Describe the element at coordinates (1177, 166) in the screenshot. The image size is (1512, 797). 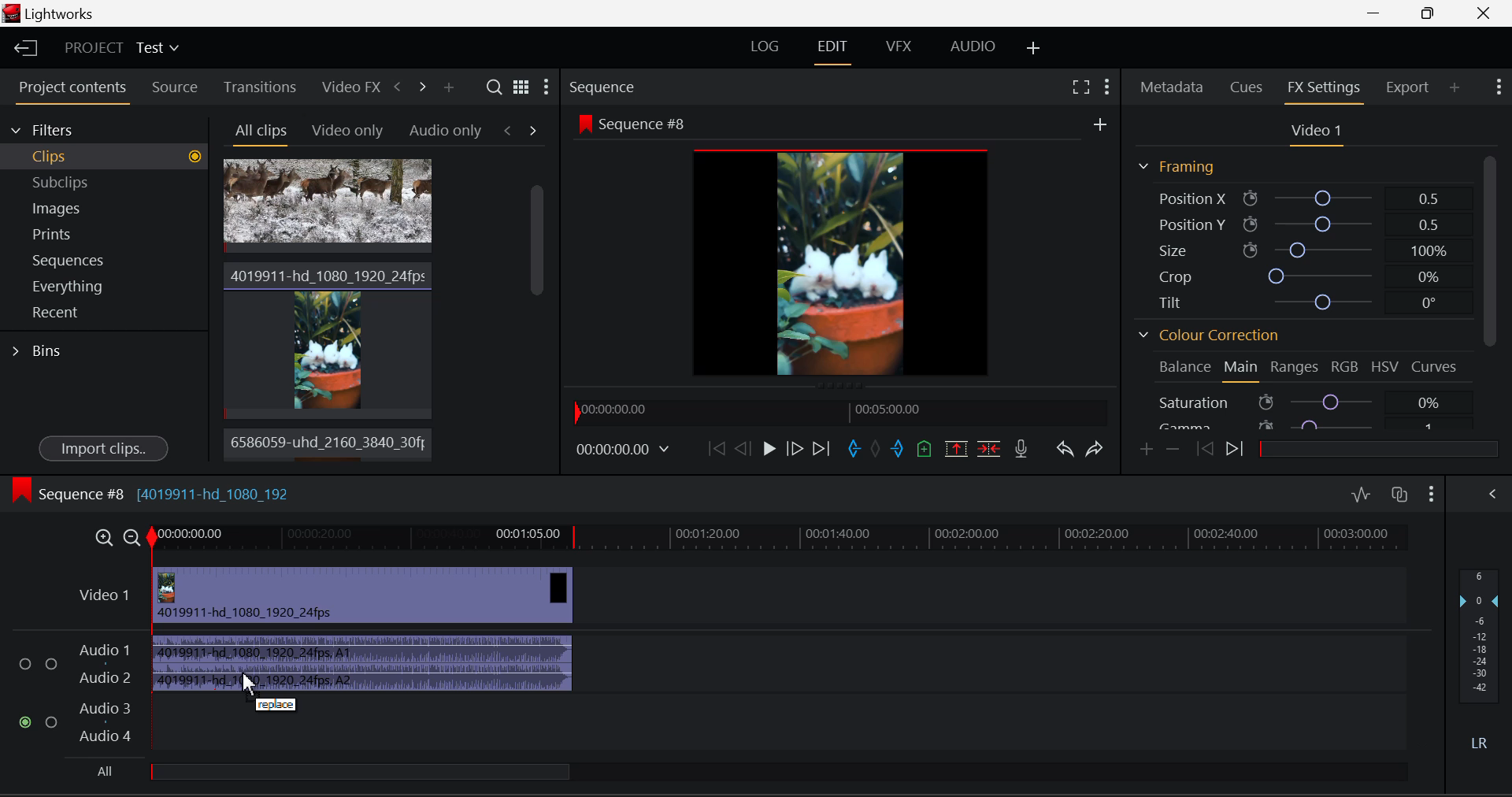
I see `Framing` at that location.